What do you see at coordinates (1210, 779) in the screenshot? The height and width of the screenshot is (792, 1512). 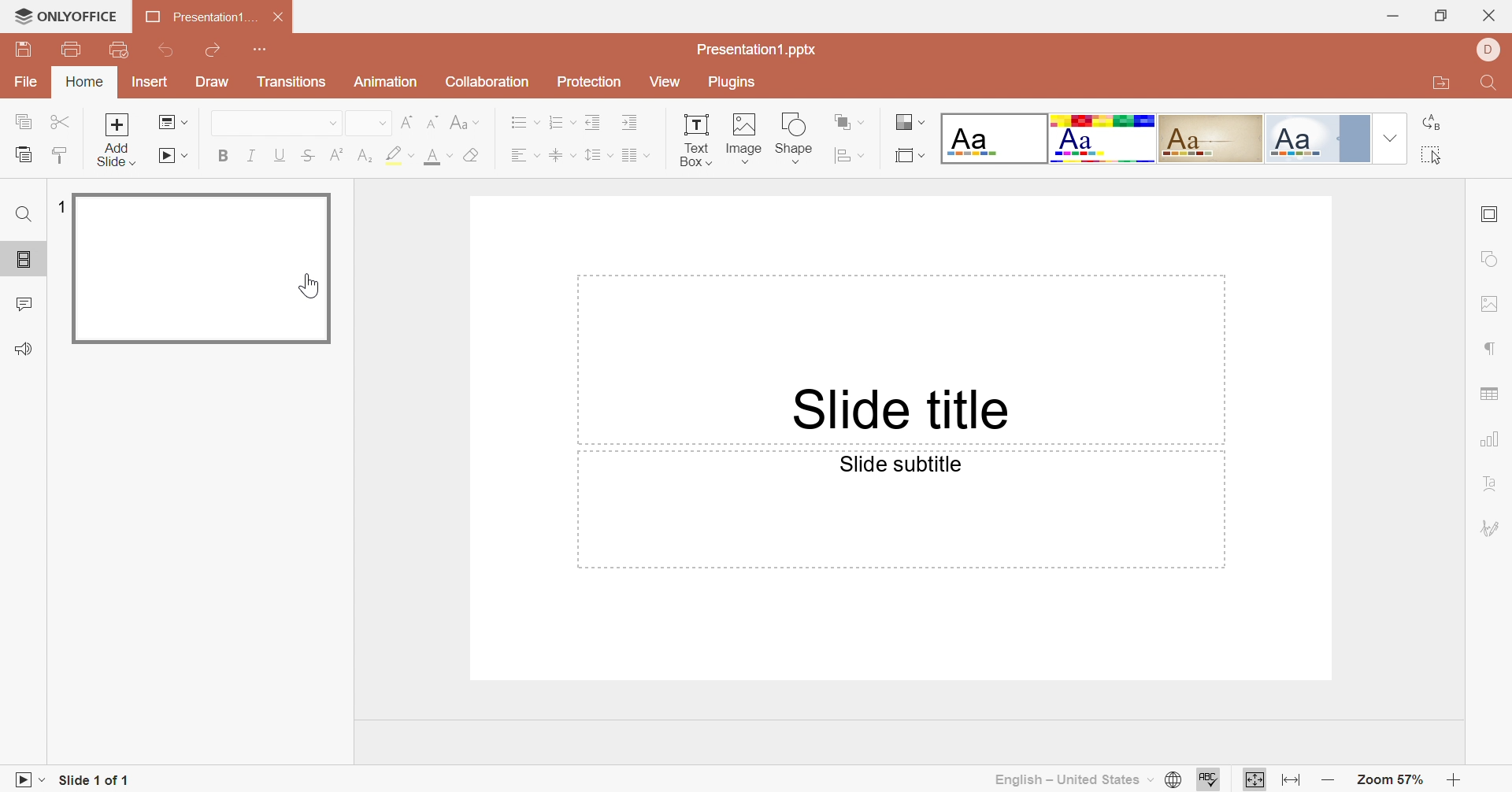 I see `Check spelling` at bounding box center [1210, 779].